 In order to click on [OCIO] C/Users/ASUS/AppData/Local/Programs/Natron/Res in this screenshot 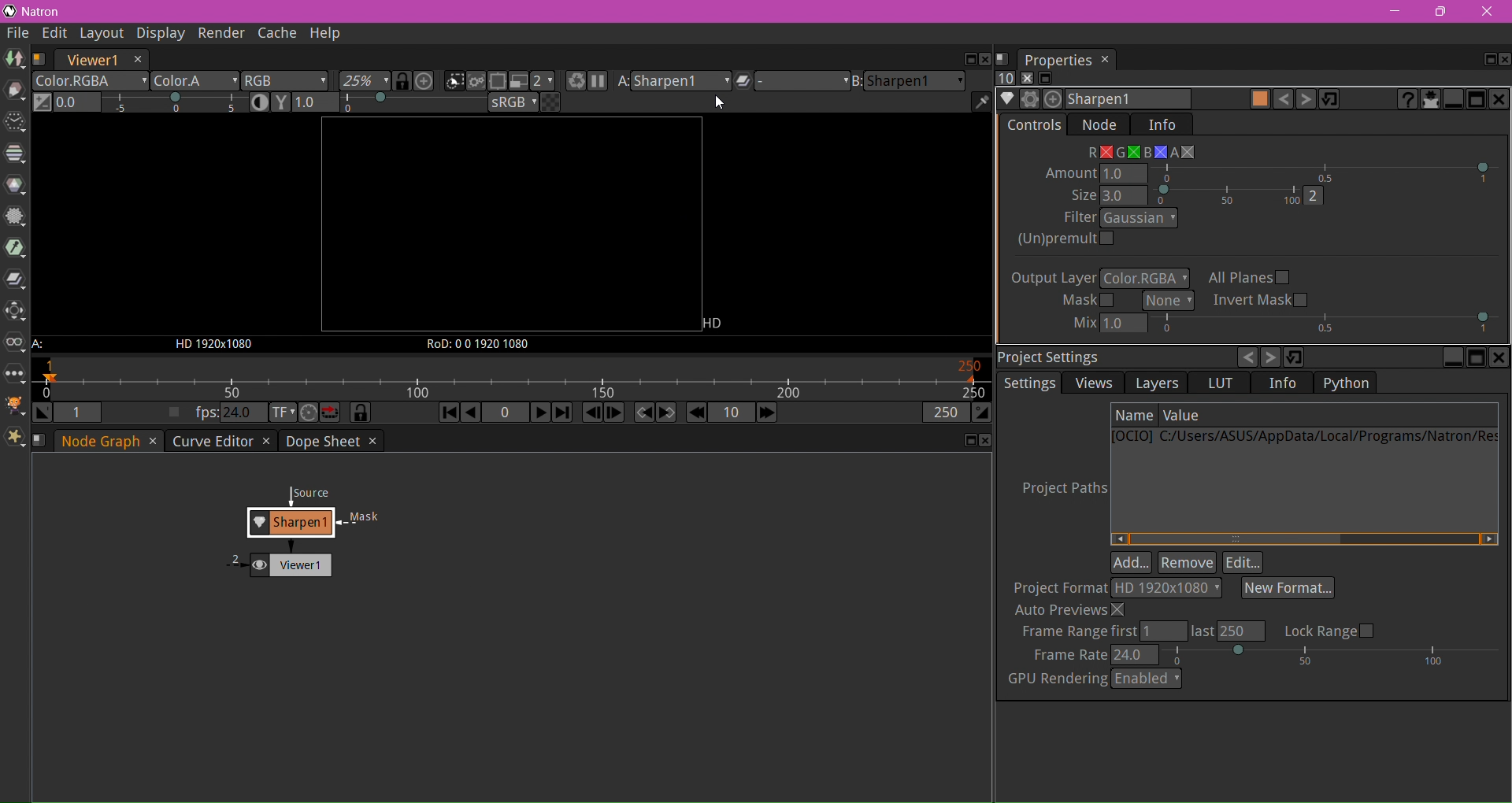, I will do `click(1305, 439)`.